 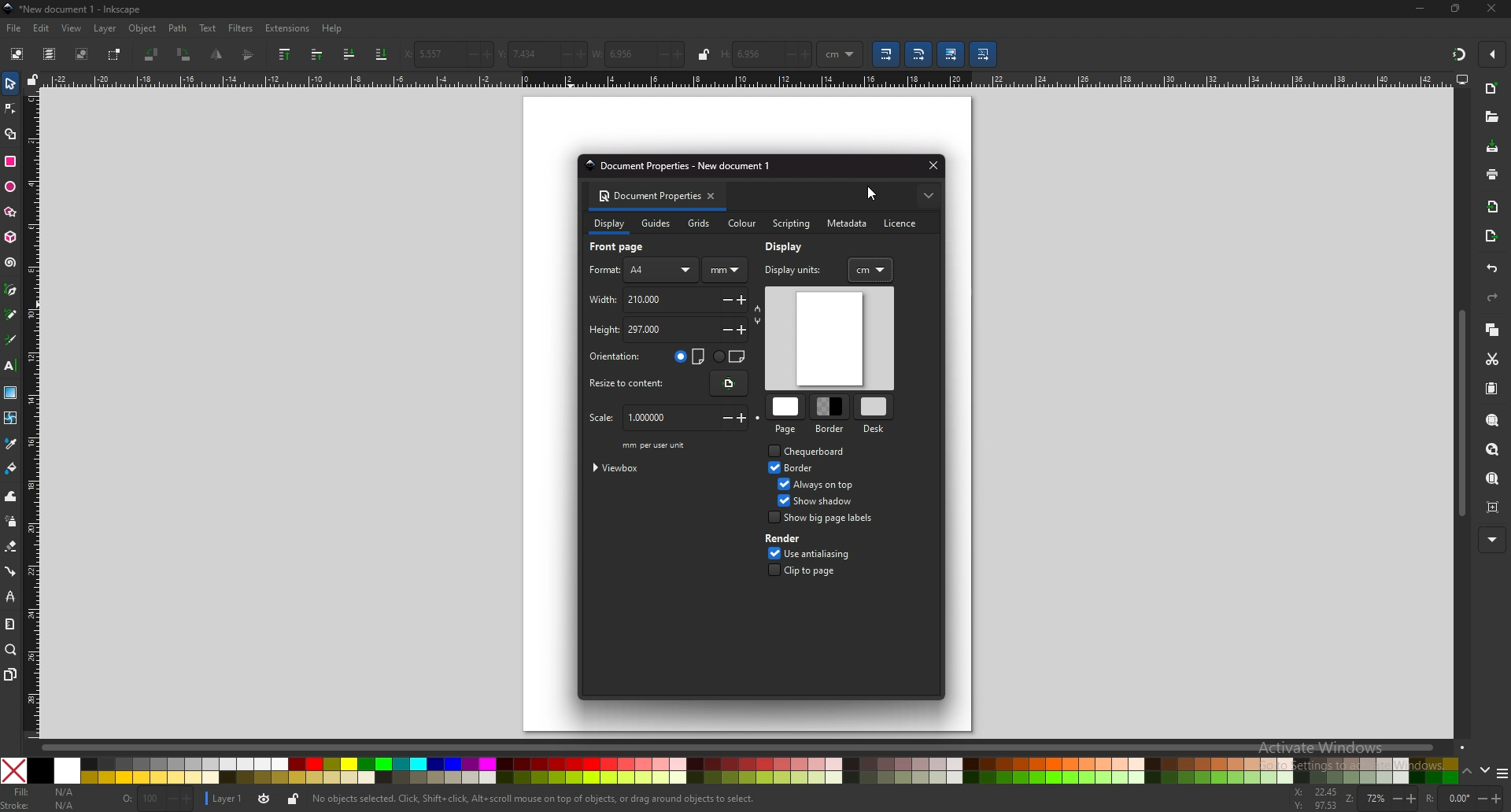 What do you see at coordinates (9, 238) in the screenshot?
I see `3d box` at bounding box center [9, 238].